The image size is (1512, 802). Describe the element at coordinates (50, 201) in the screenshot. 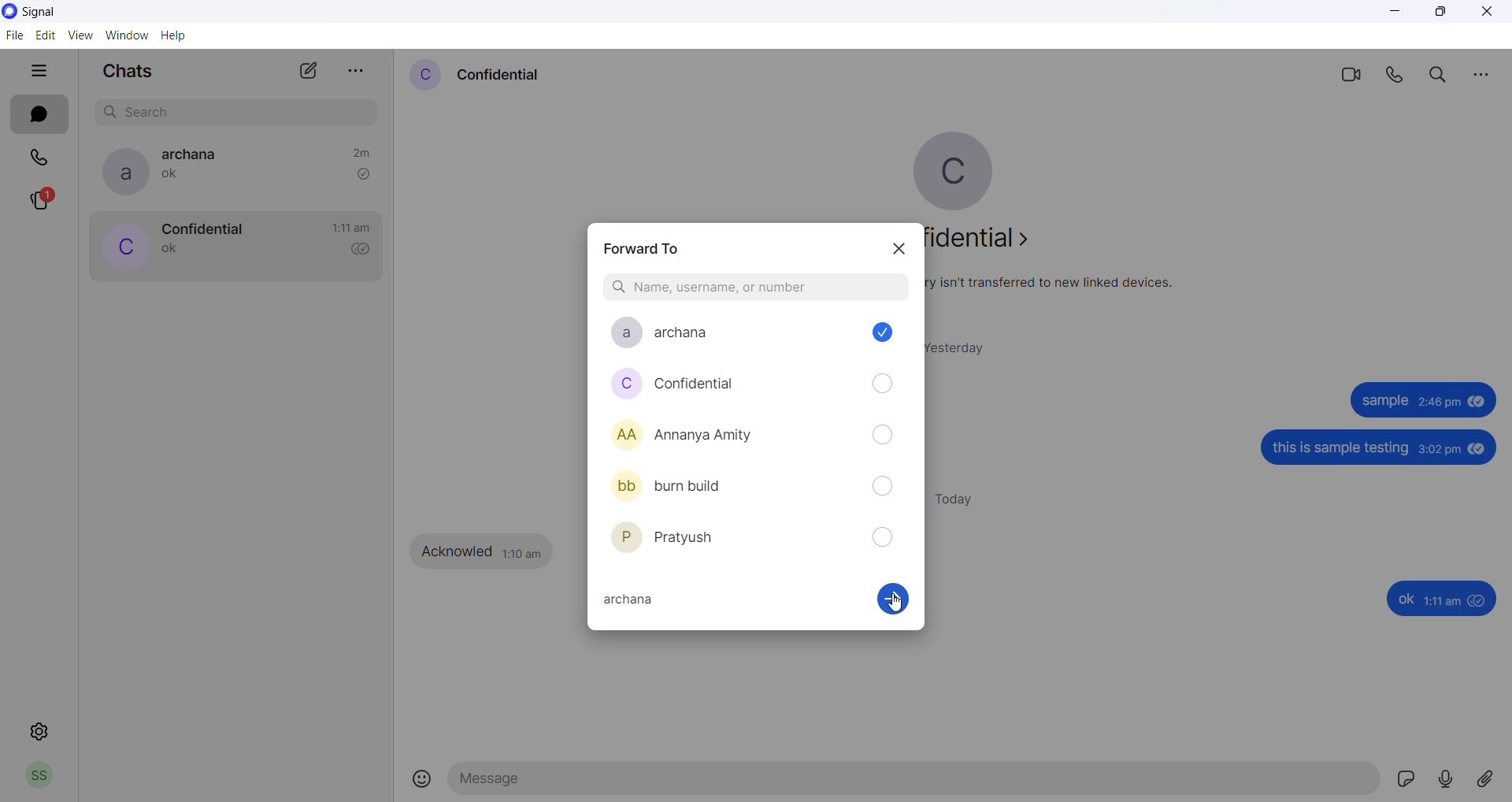

I see `stories` at that location.